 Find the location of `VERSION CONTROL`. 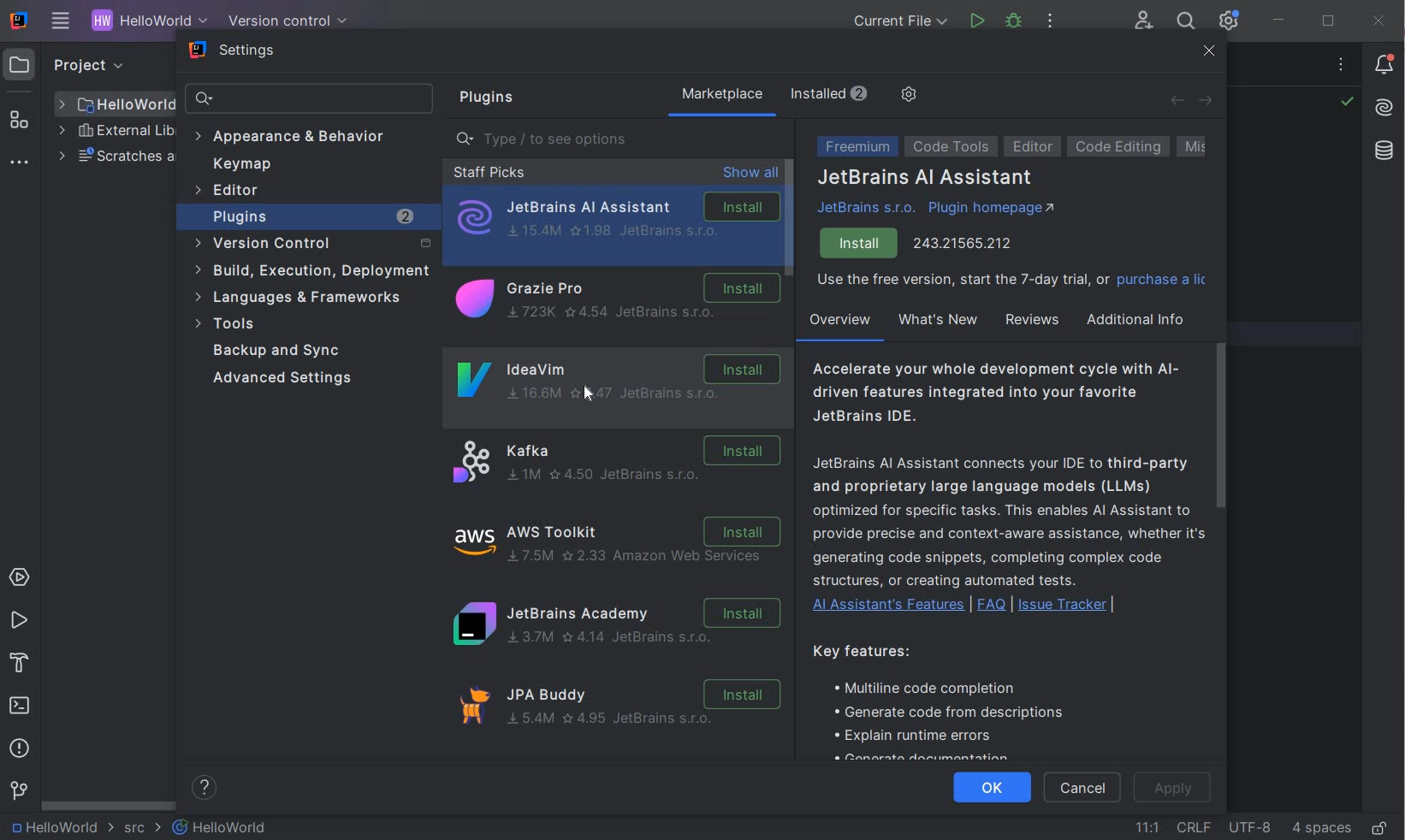

VERSION CONTROL is located at coordinates (18, 790).